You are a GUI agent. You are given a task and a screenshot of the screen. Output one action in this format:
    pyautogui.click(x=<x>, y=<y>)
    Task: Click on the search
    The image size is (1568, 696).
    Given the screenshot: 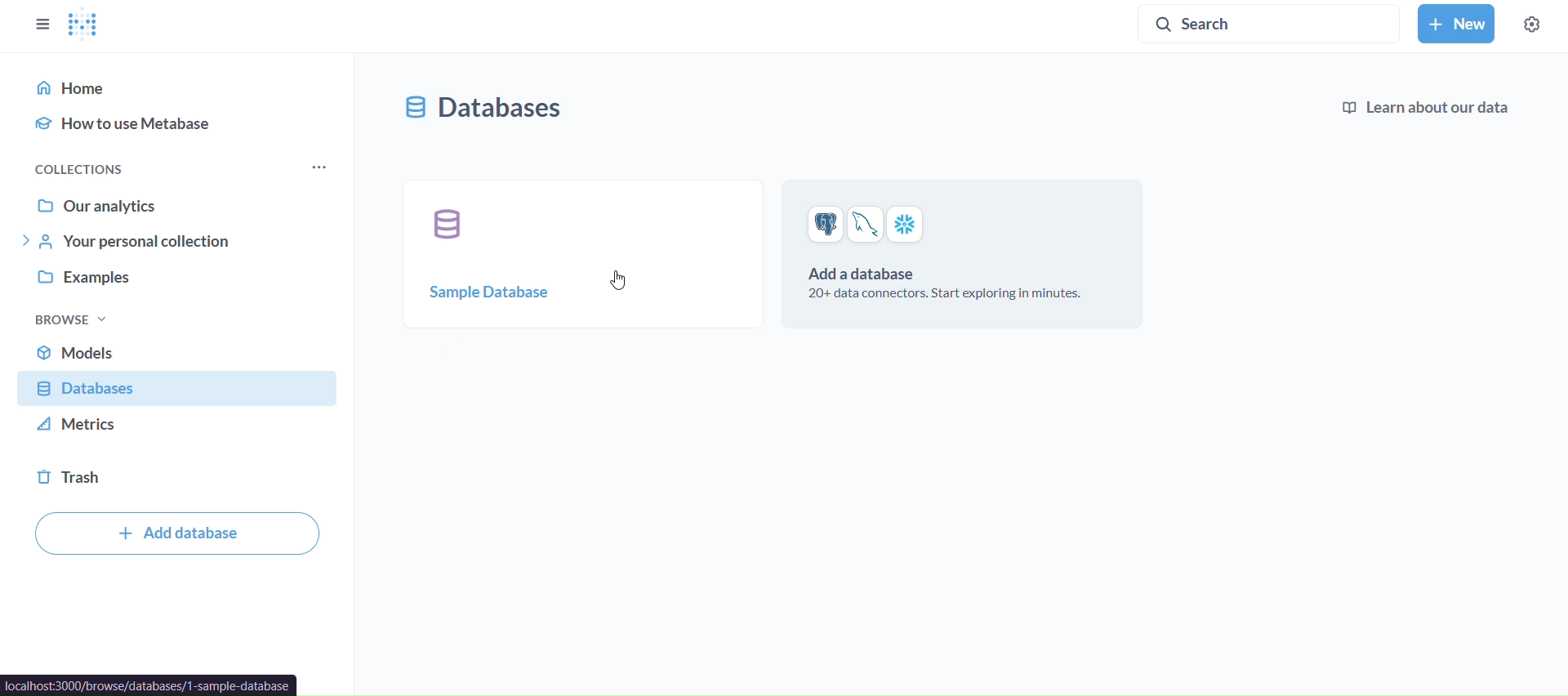 What is the action you would take?
    pyautogui.click(x=1225, y=23)
    